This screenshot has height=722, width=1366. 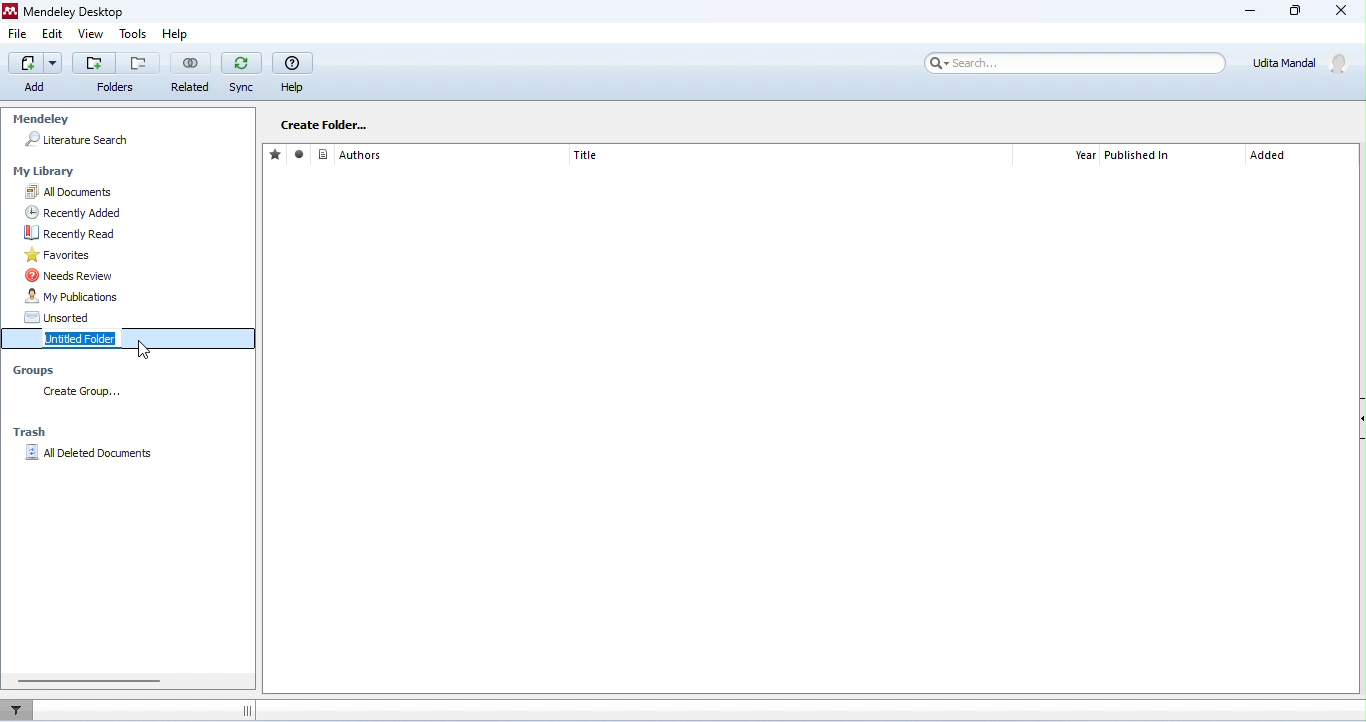 What do you see at coordinates (28, 72) in the screenshot?
I see `add` at bounding box center [28, 72].